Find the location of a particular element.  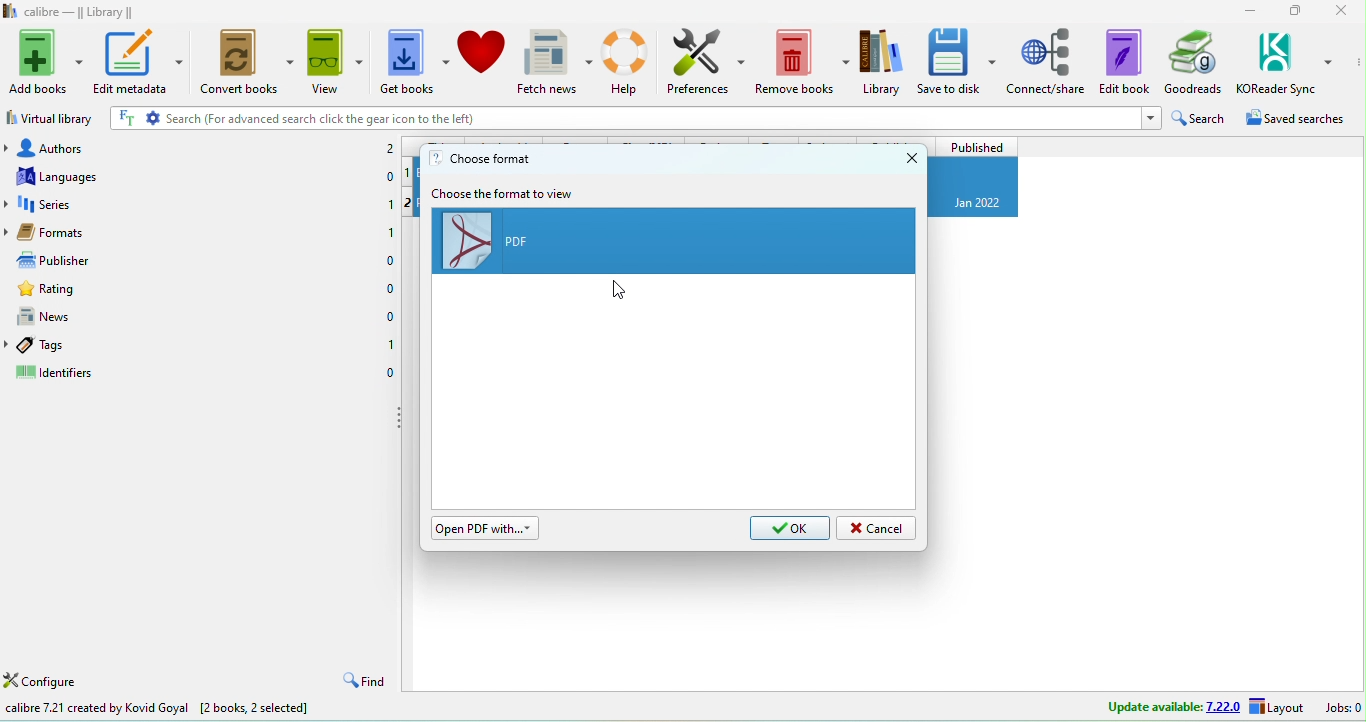

calibre 7.21 created by kovid goyal [2 books, 2 selected] is located at coordinates (158, 709).